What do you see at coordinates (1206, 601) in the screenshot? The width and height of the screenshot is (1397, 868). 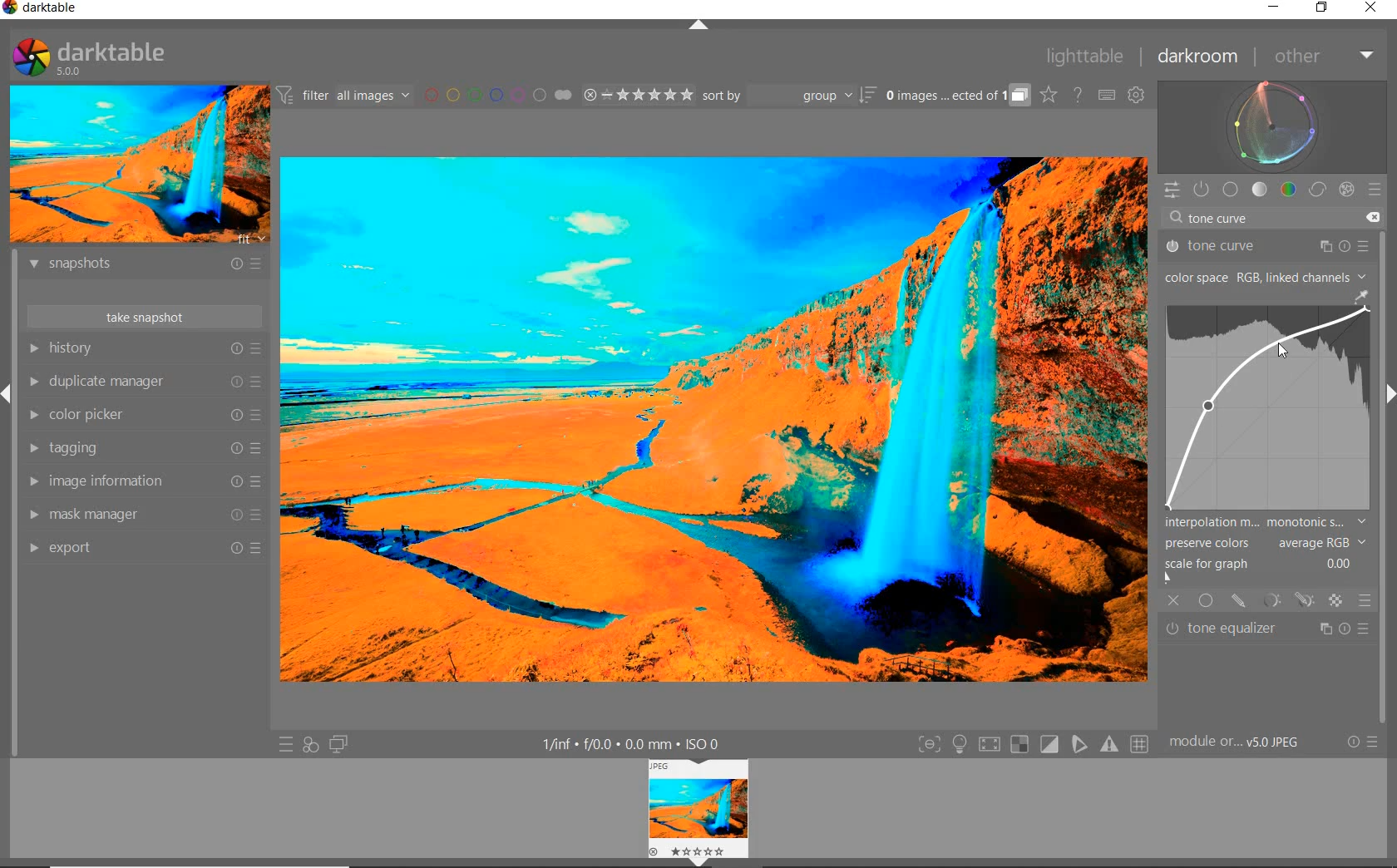 I see `UNIFORMLY` at bounding box center [1206, 601].